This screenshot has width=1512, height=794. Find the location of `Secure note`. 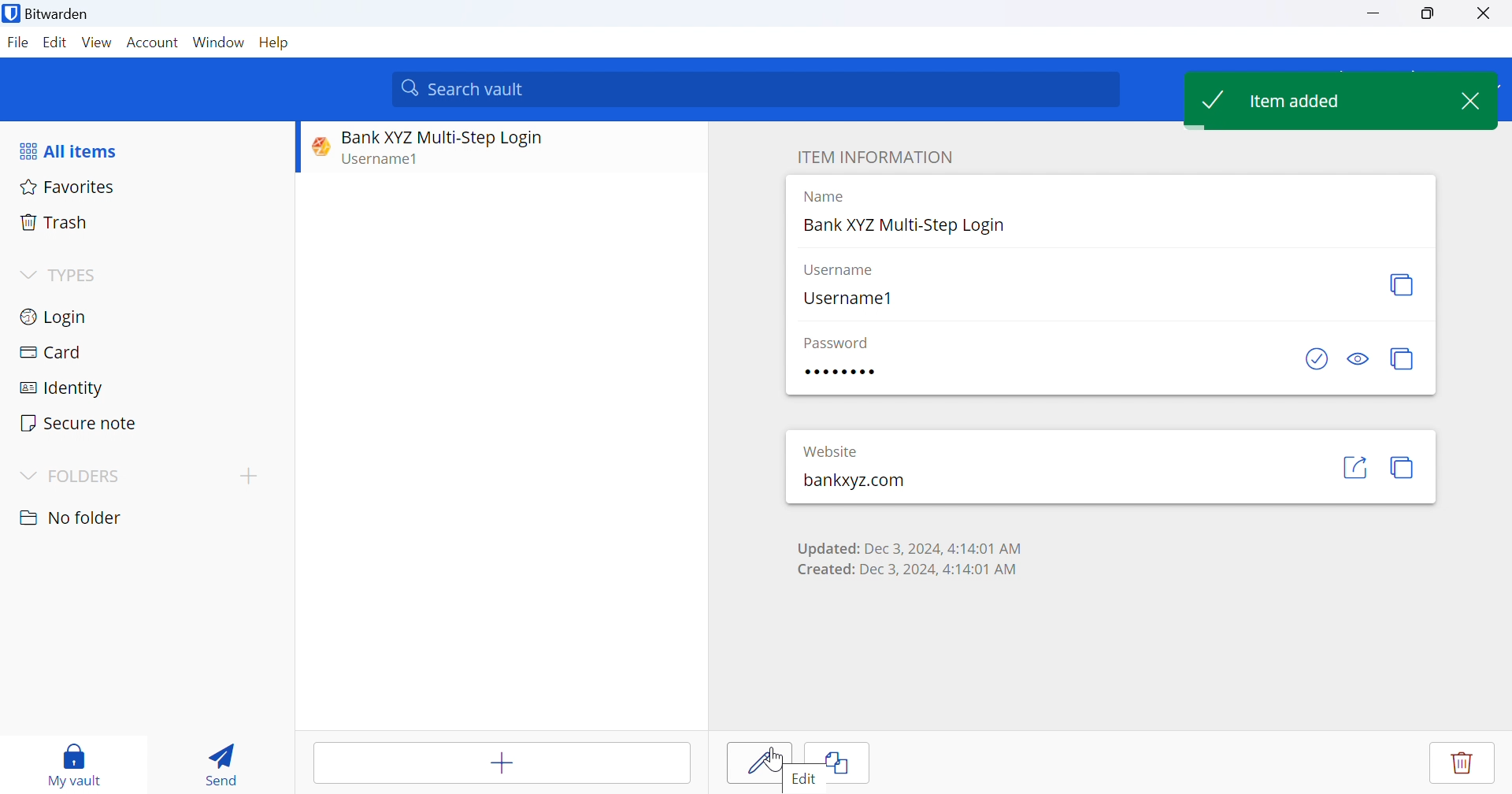

Secure note is located at coordinates (81, 425).